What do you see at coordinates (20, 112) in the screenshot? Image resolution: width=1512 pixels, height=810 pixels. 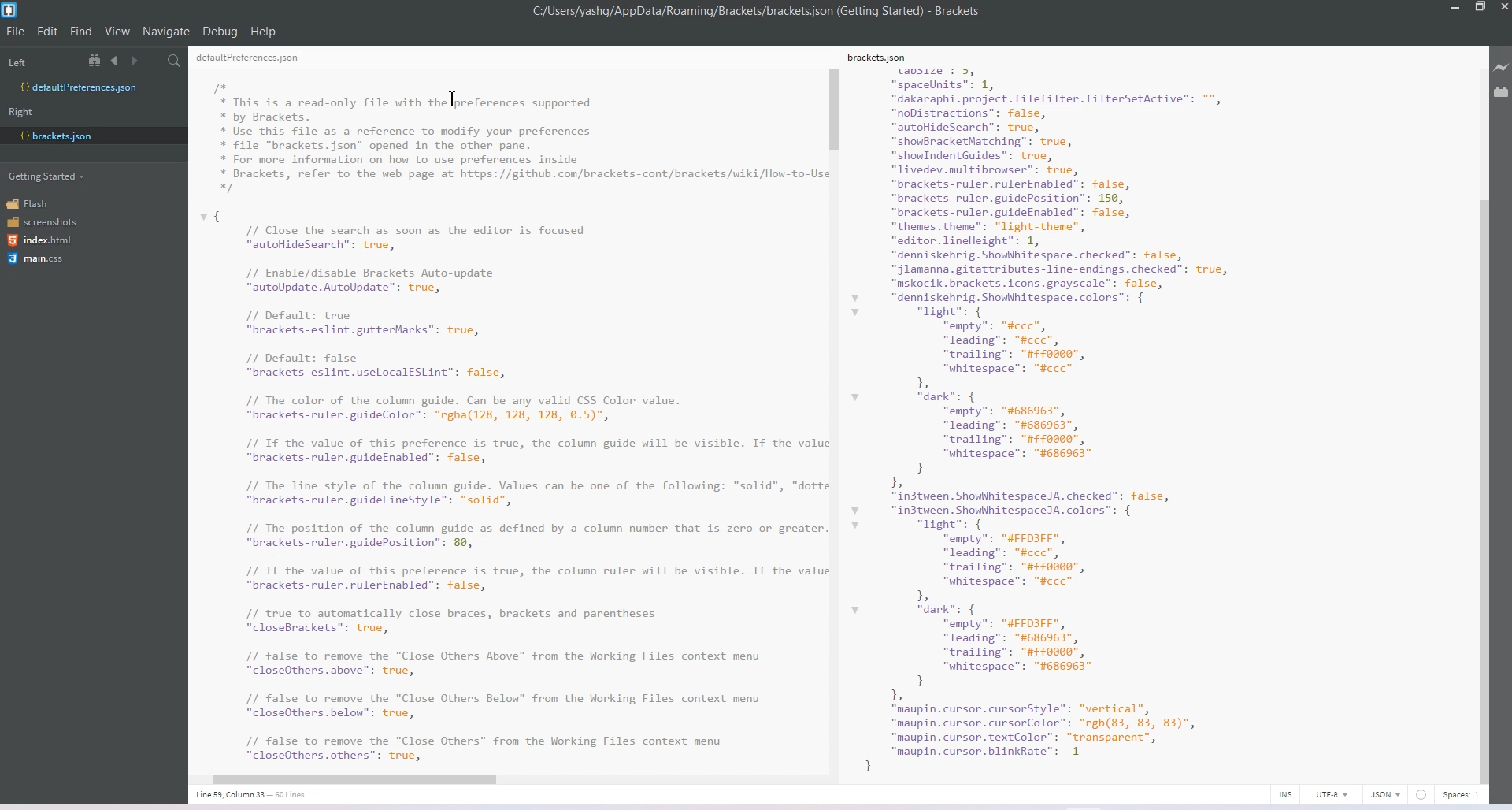 I see `Right` at bounding box center [20, 112].